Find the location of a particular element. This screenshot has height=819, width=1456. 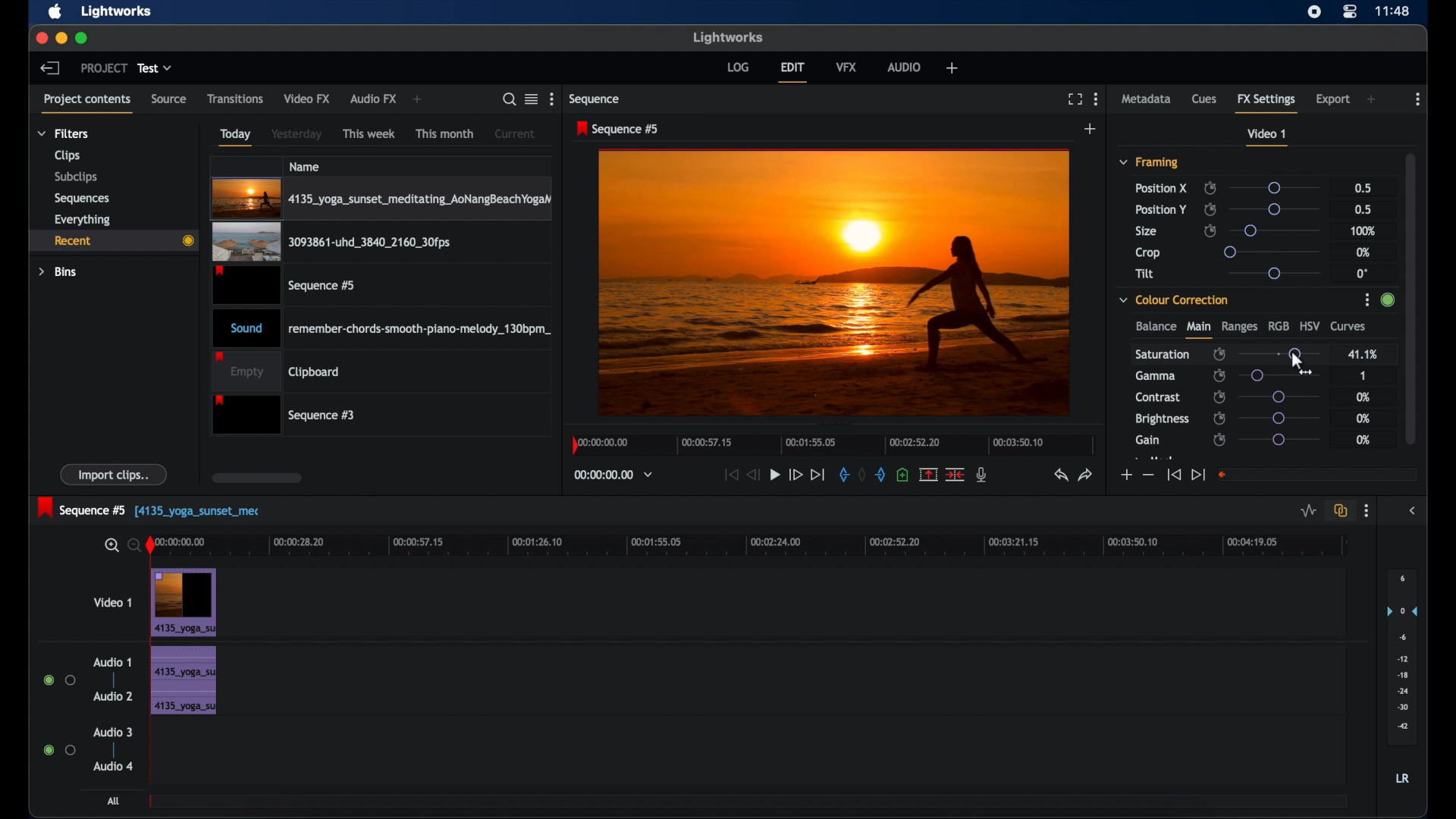

out mark is located at coordinates (881, 474).